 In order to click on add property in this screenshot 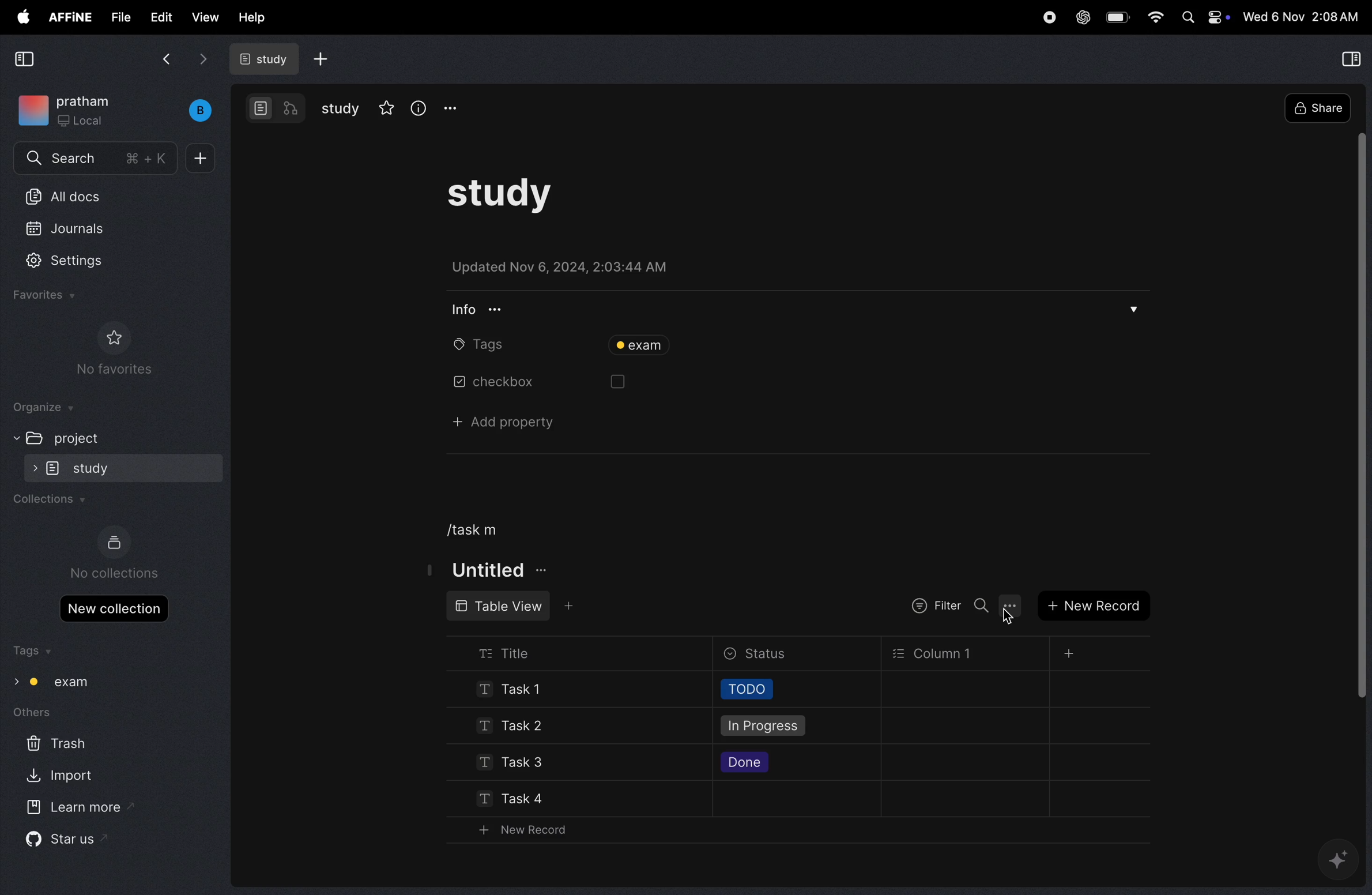, I will do `click(487, 423)`.